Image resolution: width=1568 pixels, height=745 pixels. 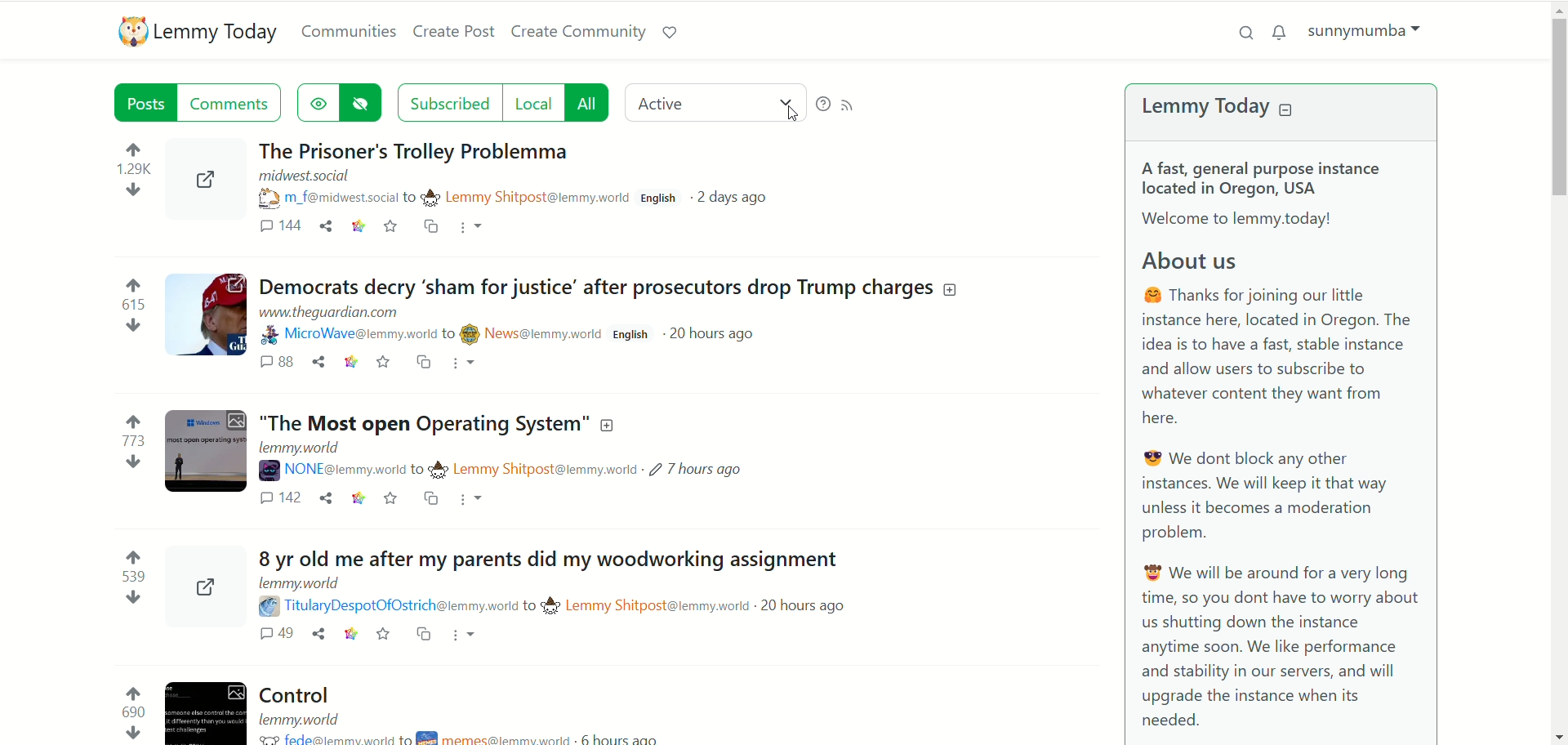 I want to click on comments, so click(x=258, y=636).